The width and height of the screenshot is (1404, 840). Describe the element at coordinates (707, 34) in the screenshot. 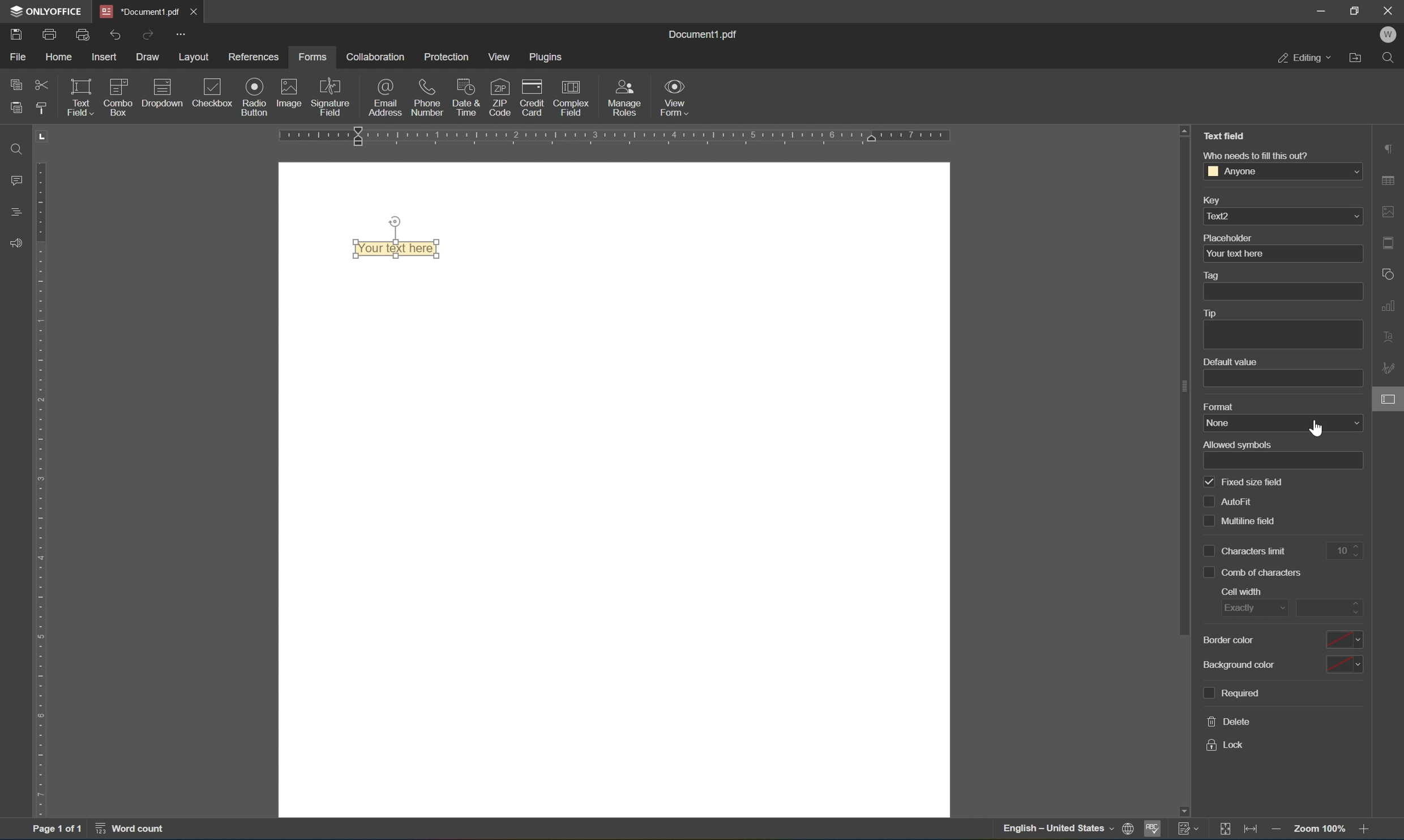

I see `document1.pdf` at that location.